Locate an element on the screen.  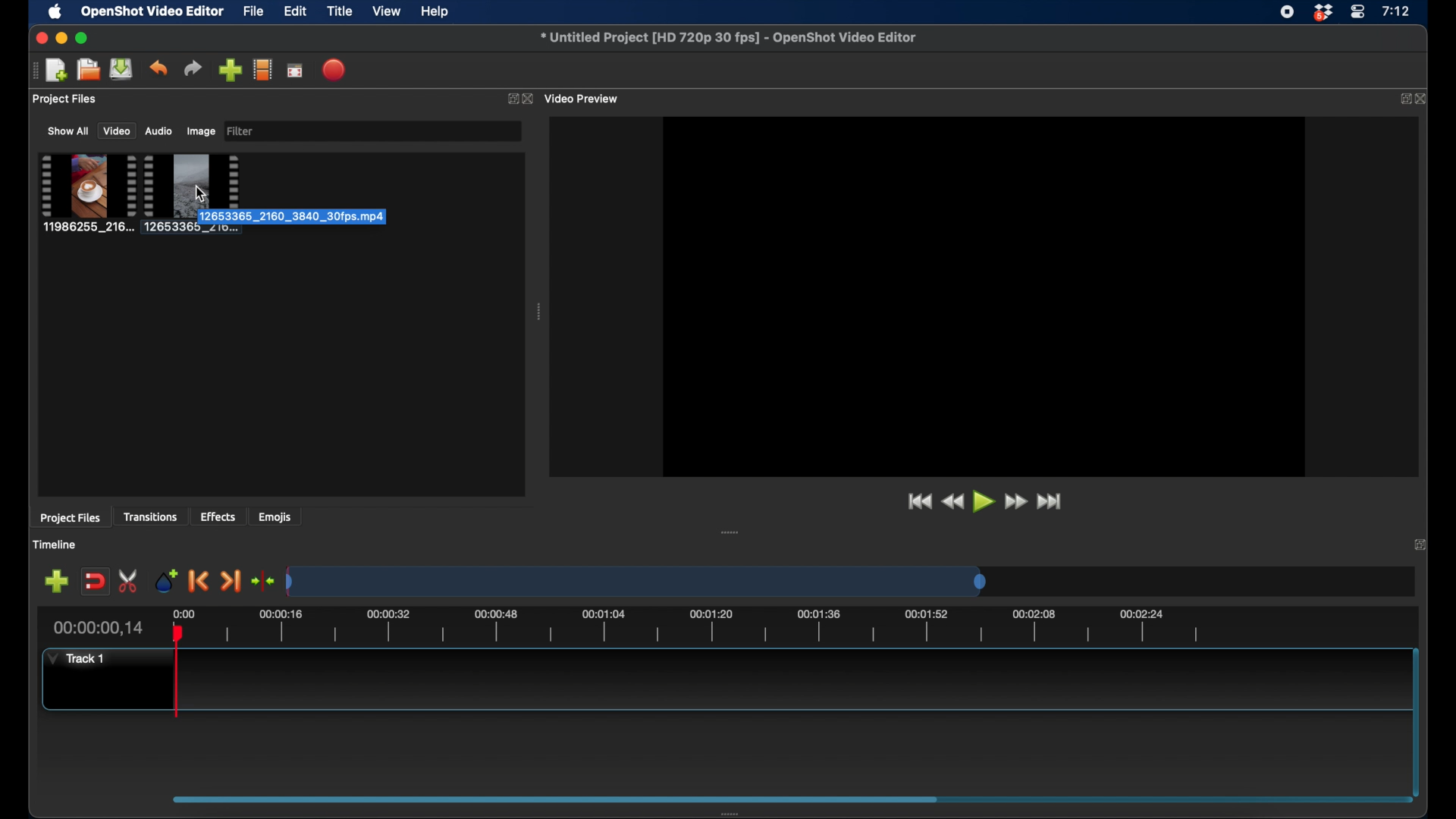
timeline is located at coordinates (54, 544).